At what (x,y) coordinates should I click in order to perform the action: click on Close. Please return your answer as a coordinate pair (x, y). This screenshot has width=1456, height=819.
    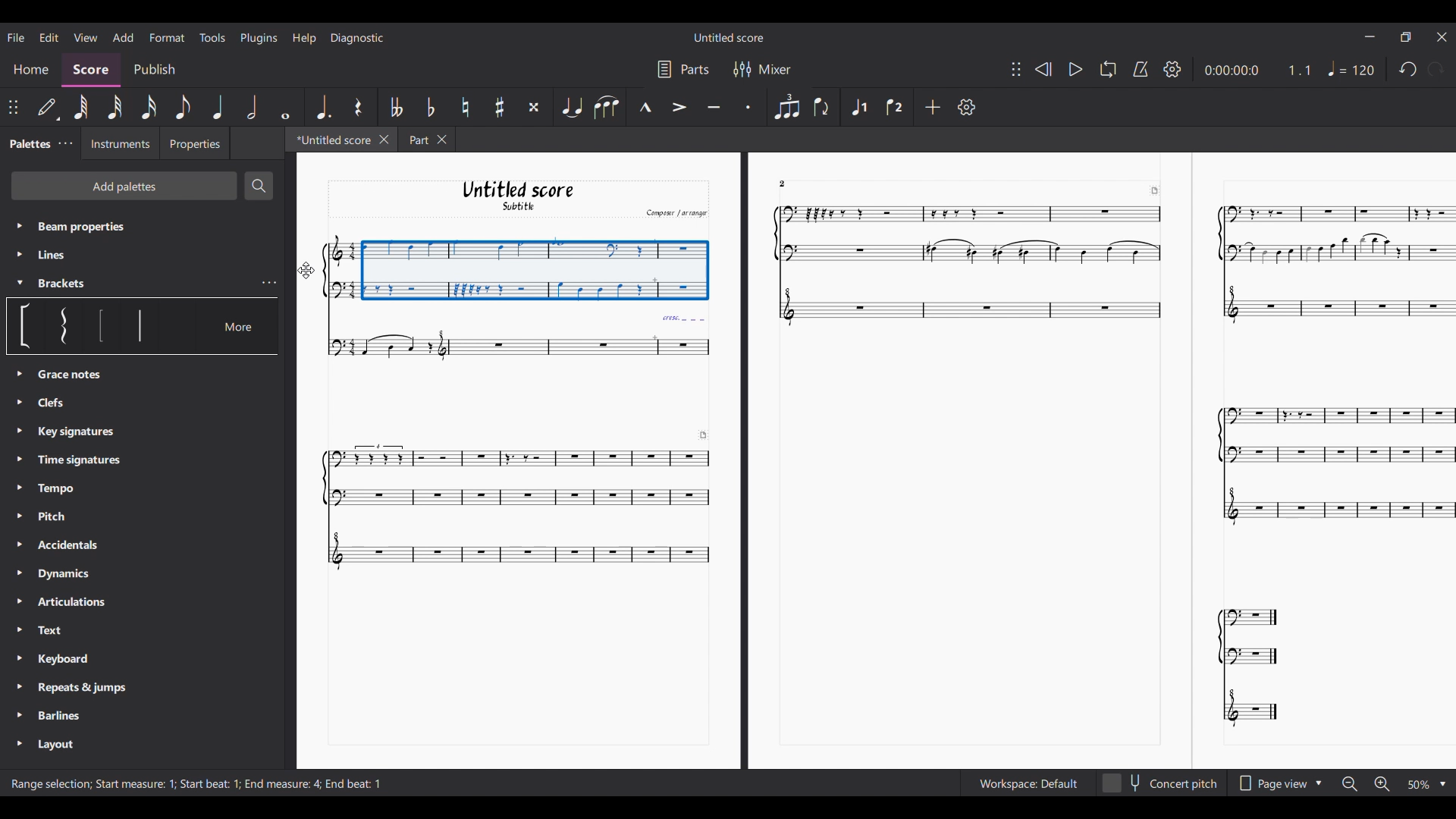
    Looking at the image, I should click on (444, 140).